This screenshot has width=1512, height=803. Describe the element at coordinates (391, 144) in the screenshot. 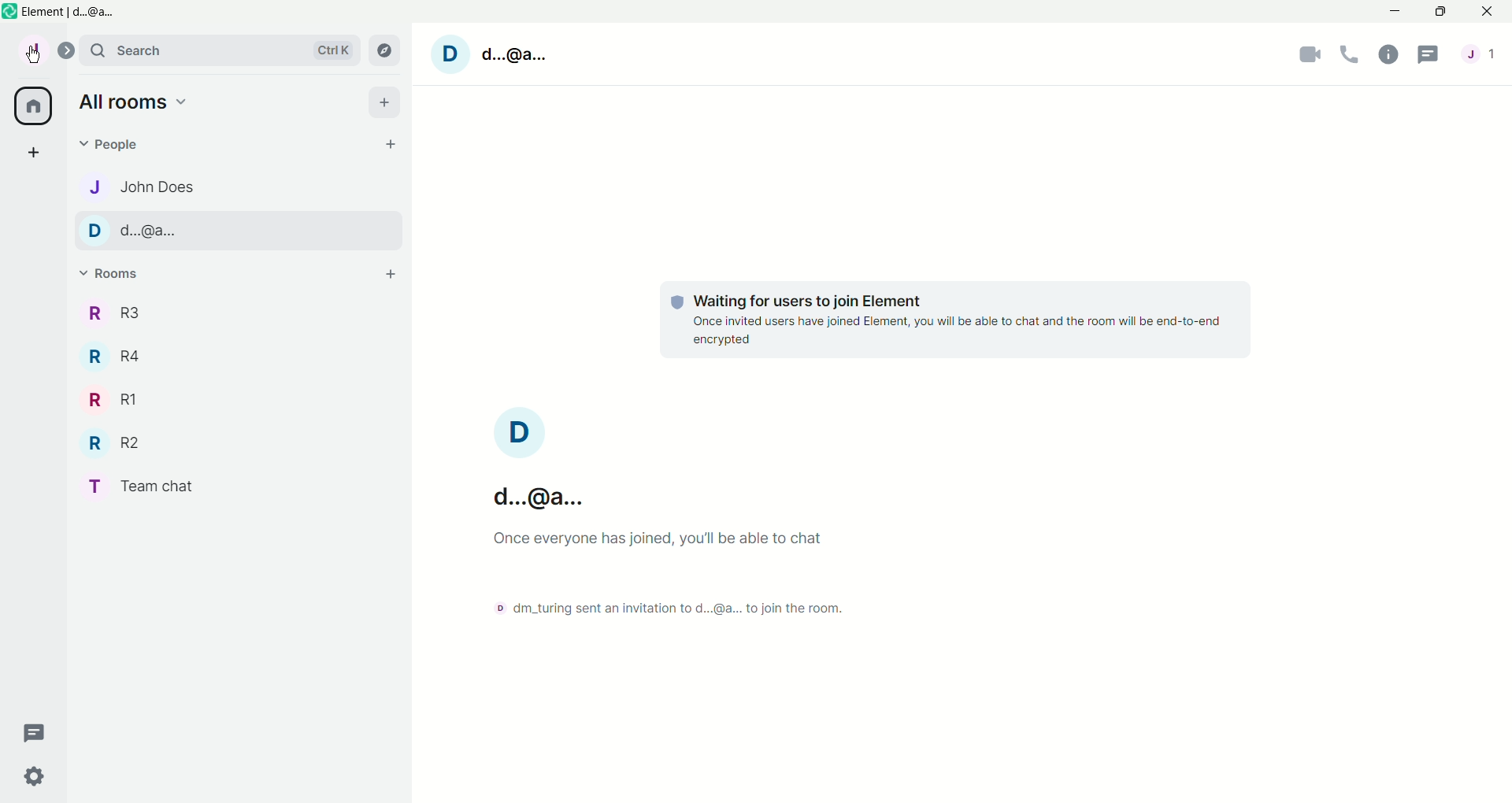

I see `Start chat` at that location.